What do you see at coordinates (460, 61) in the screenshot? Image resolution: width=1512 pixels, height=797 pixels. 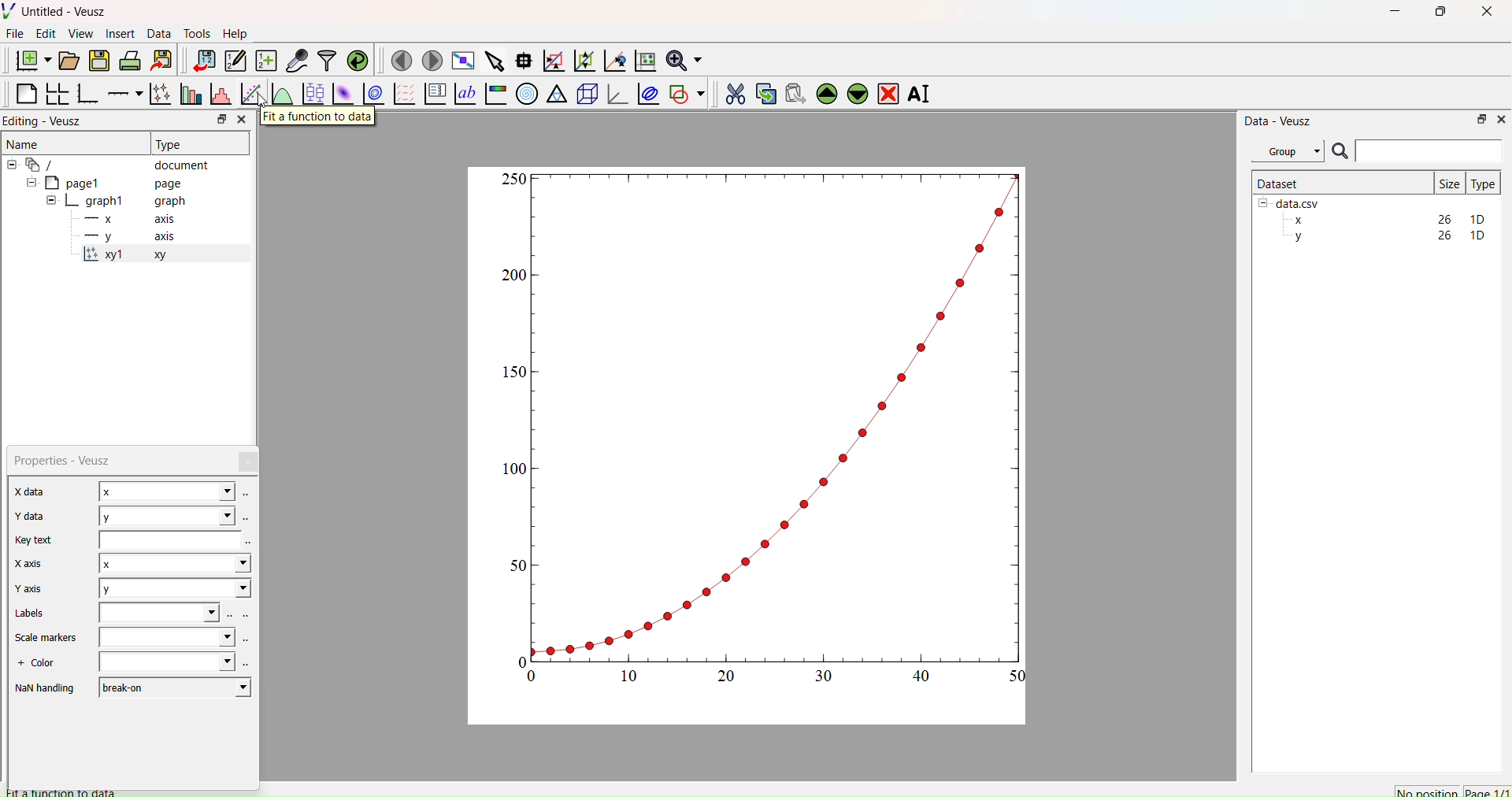 I see `Full screen` at bounding box center [460, 61].